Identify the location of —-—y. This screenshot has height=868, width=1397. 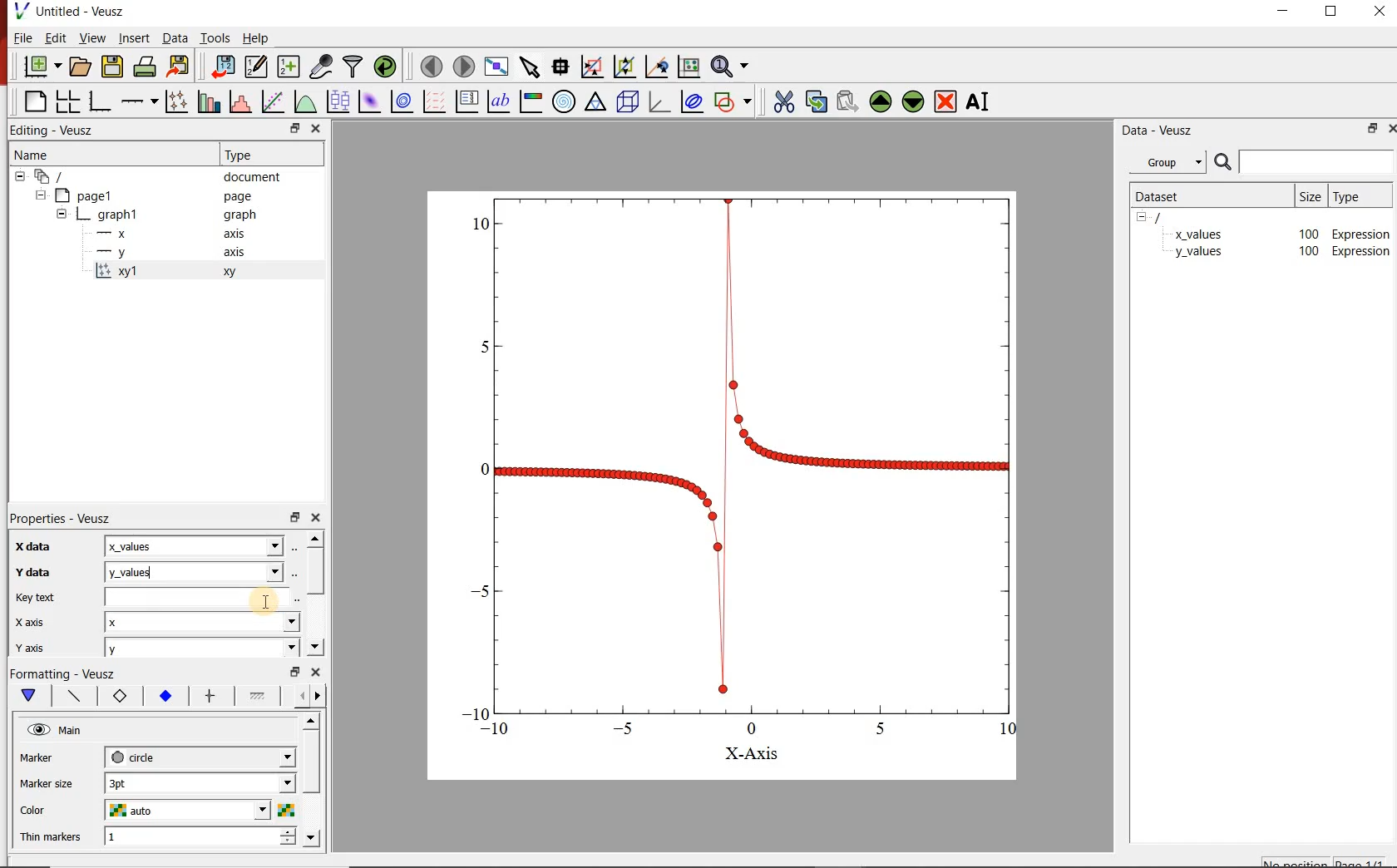
(111, 253).